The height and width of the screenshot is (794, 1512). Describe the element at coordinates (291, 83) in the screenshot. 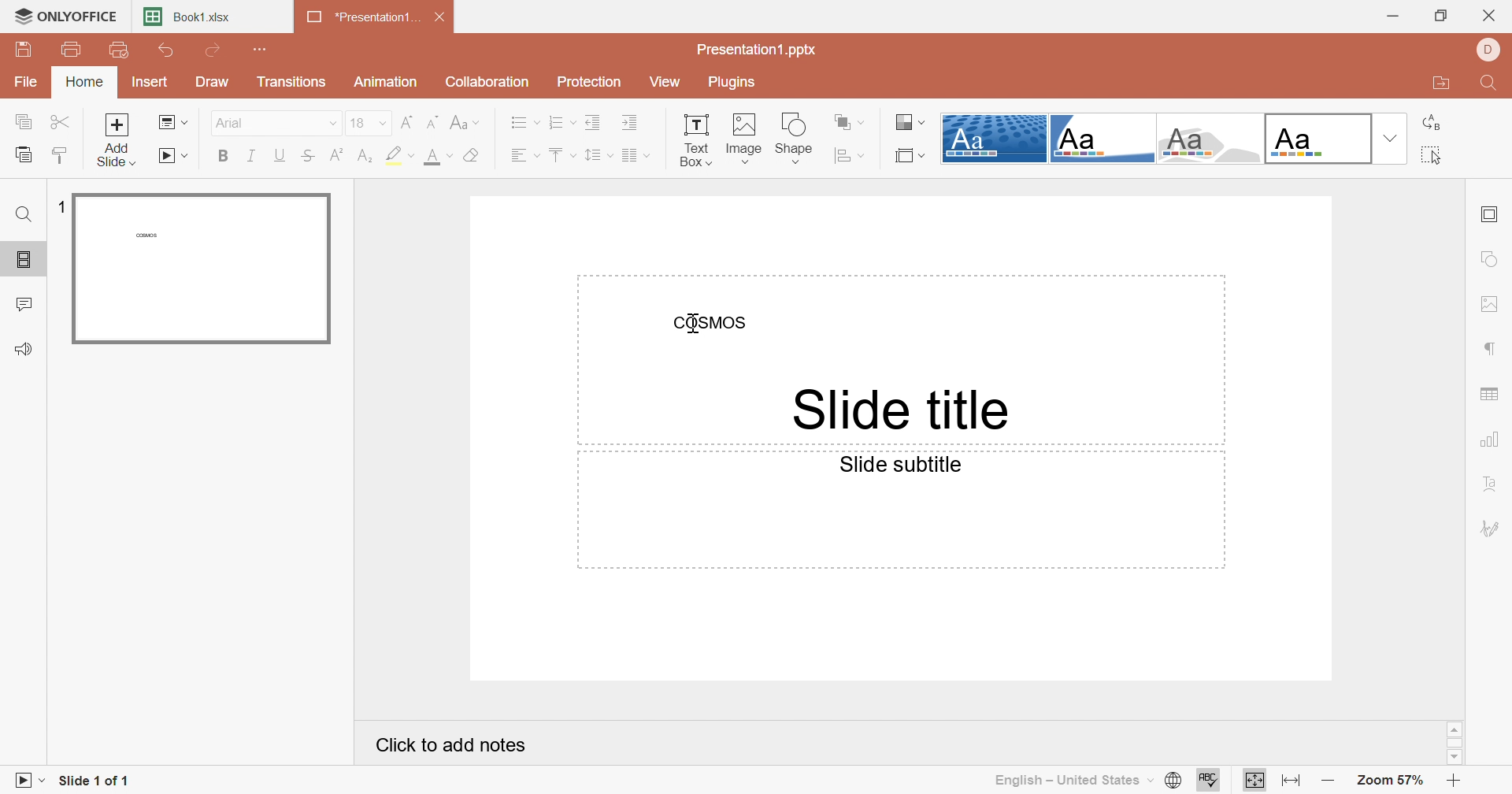

I see `Transitions` at that location.